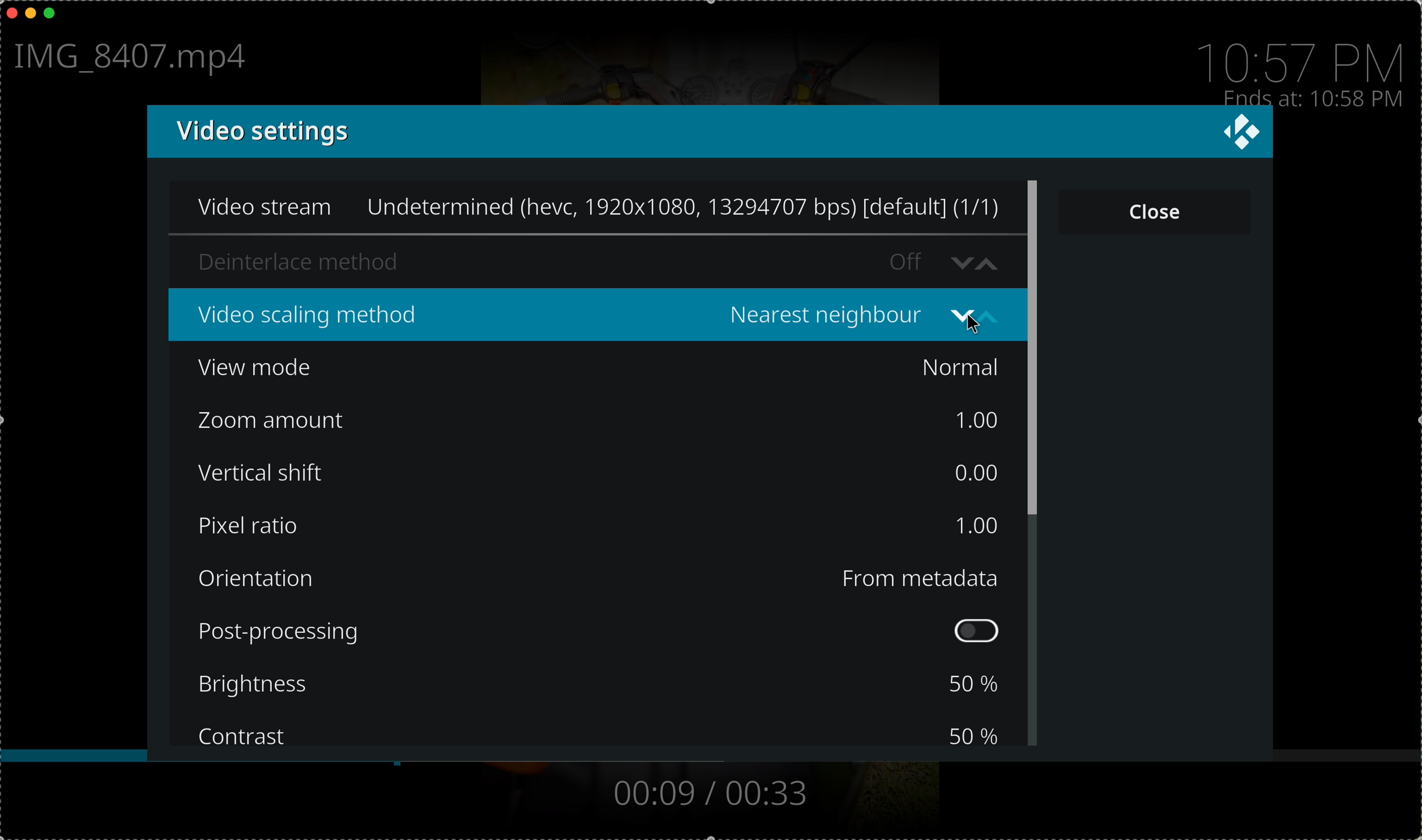 The height and width of the screenshot is (840, 1422). Describe the element at coordinates (598, 732) in the screenshot. I see `contrast 50%` at that location.